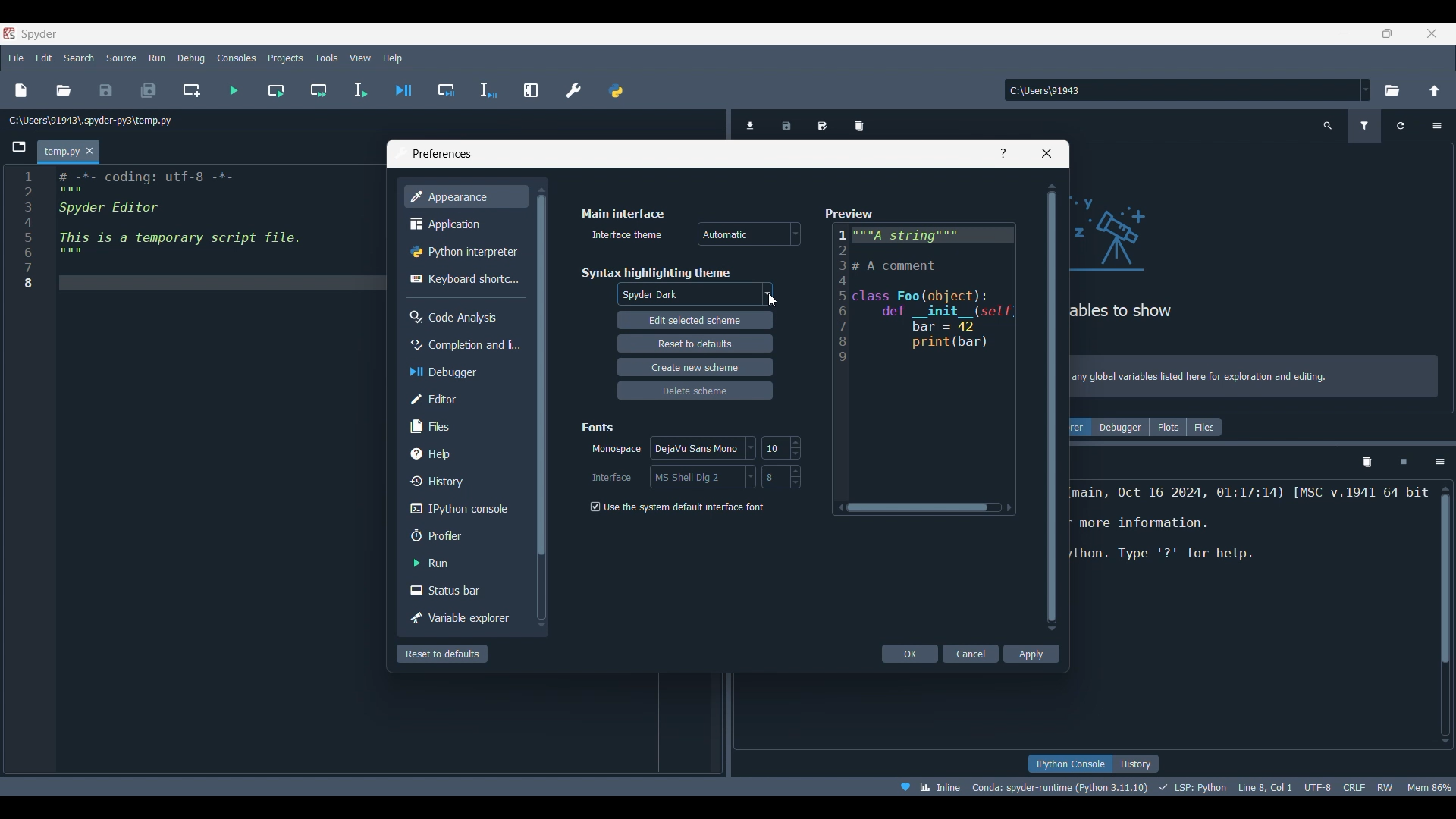 Image resolution: width=1456 pixels, height=819 pixels. Describe the element at coordinates (465, 317) in the screenshot. I see `Code analysis` at that location.